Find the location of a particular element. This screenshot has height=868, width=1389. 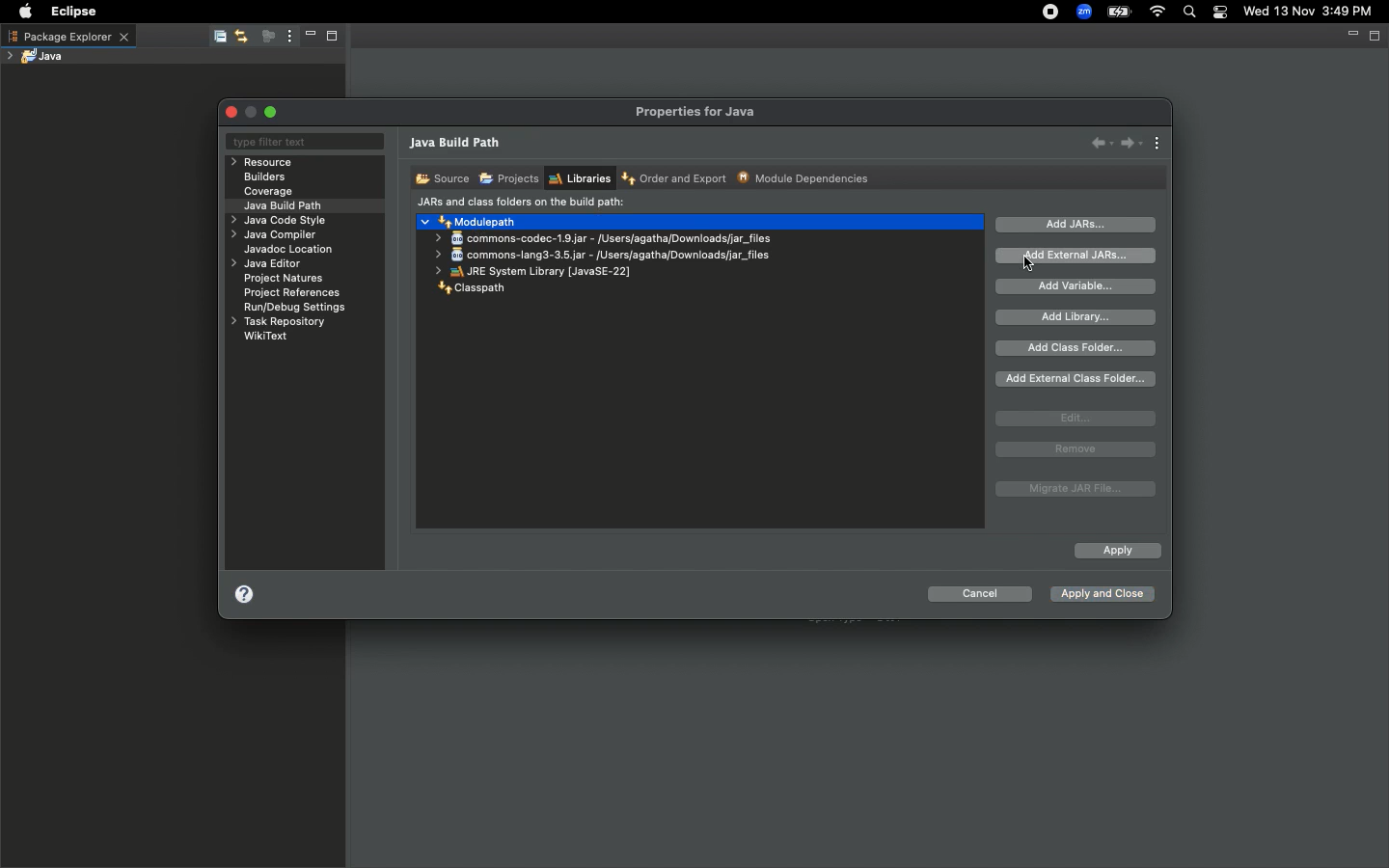

Maximize is located at coordinates (273, 112).